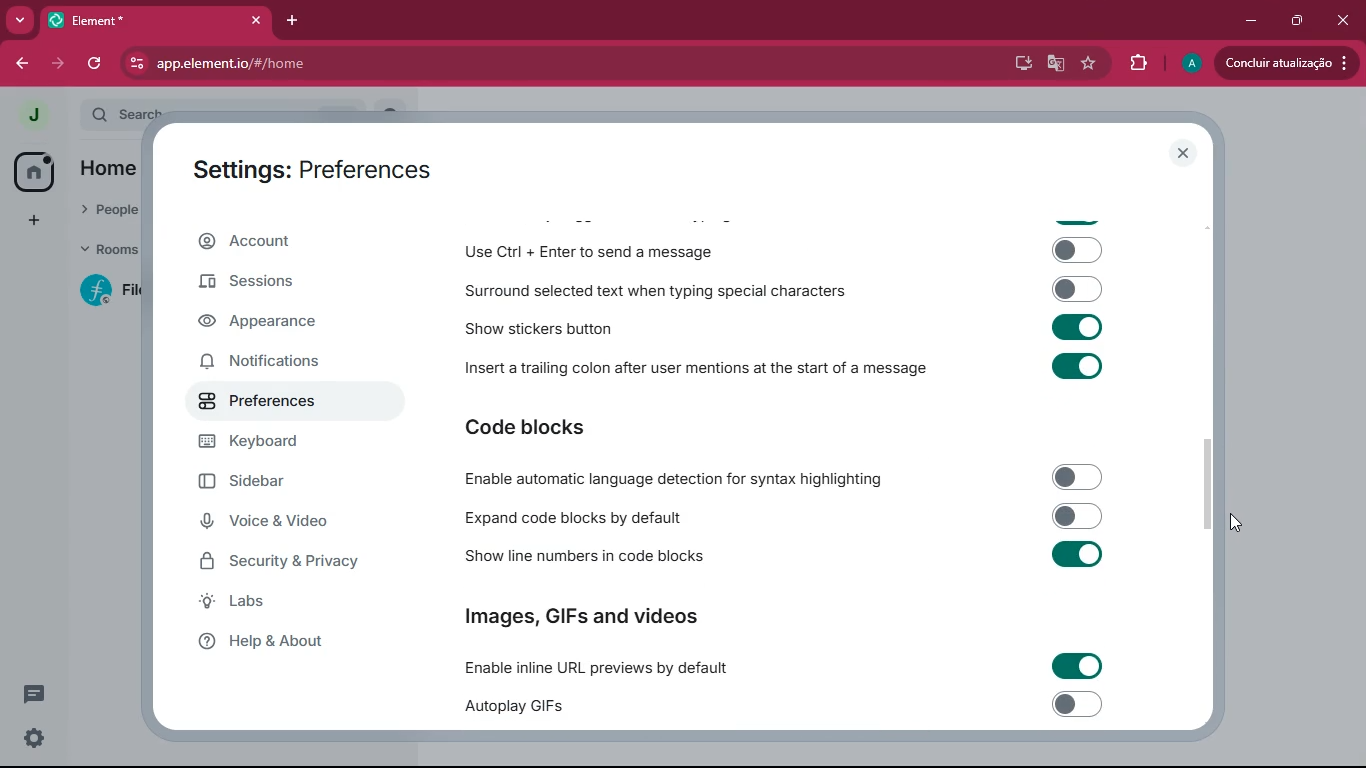 The width and height of the screenshot is (1366, 768). What do you see at coordinates (1342, 21) in the screenshot?
I see `close` at bounding box center [1342, 21].